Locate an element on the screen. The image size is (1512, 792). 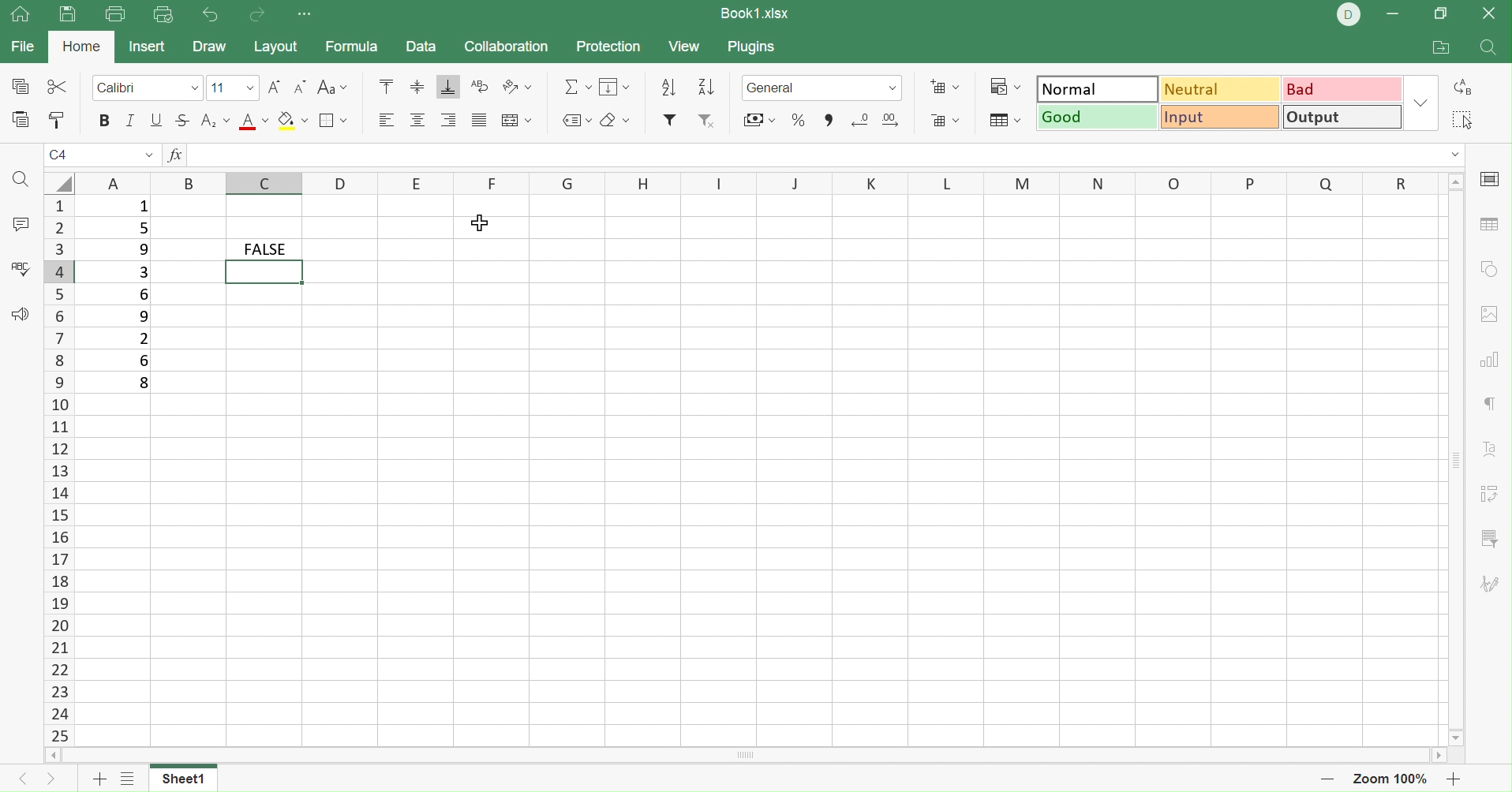
Add sheet is located at coordinates (97, 779).